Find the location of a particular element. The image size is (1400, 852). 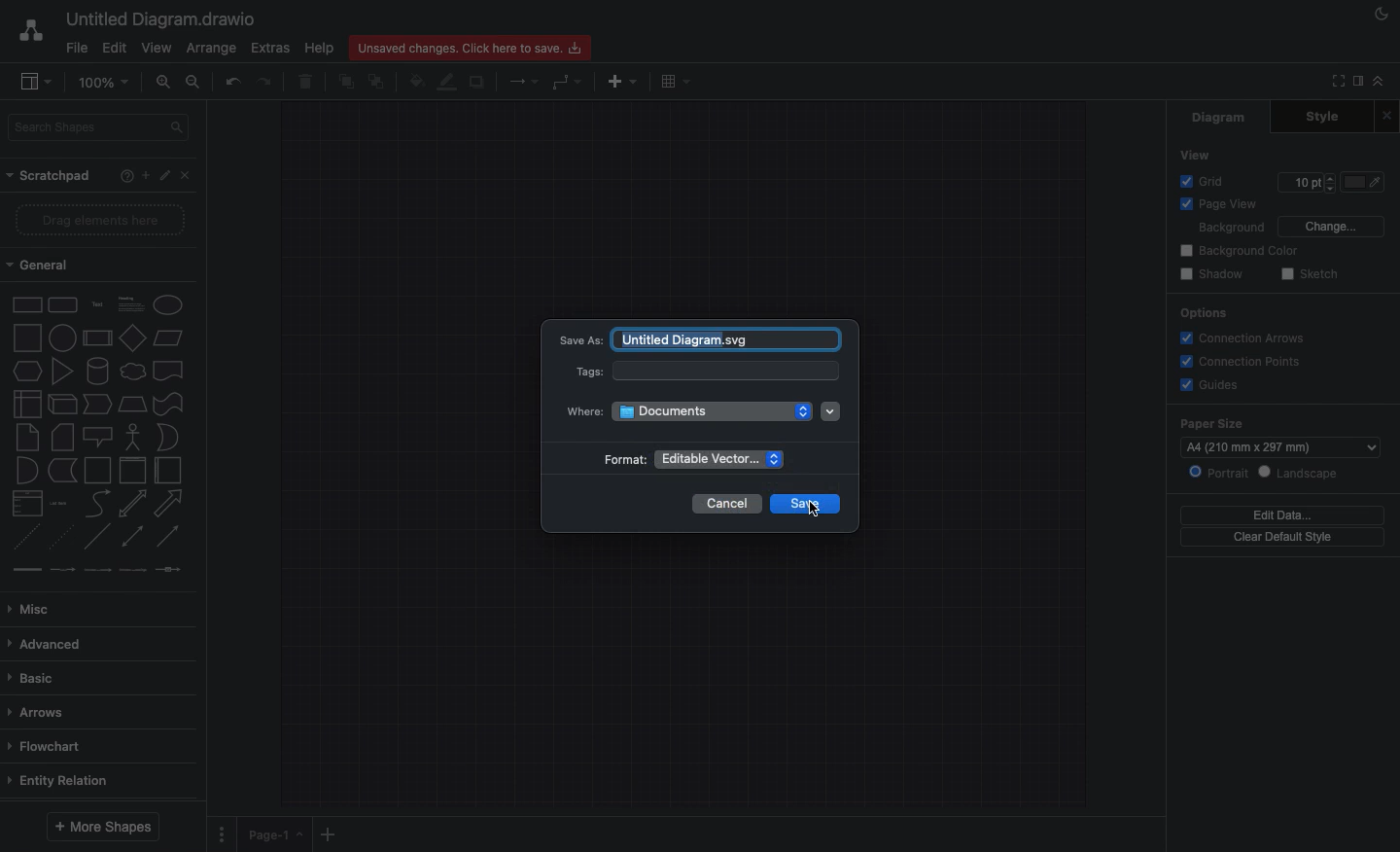

Save as is located at coordinates (579, 337).